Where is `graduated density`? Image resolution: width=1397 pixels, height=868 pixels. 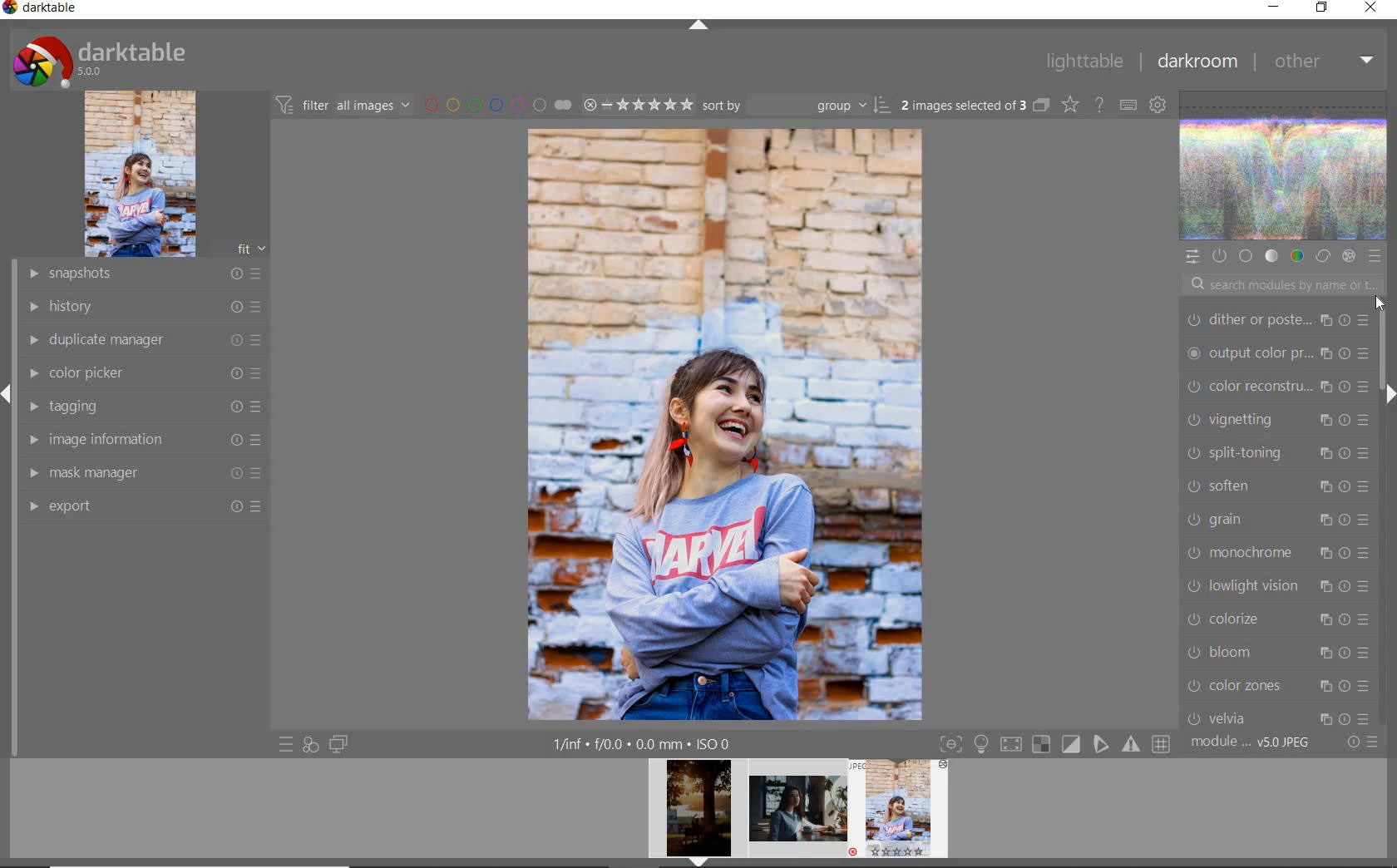
graduated density is located at coordinates (1281, 317).